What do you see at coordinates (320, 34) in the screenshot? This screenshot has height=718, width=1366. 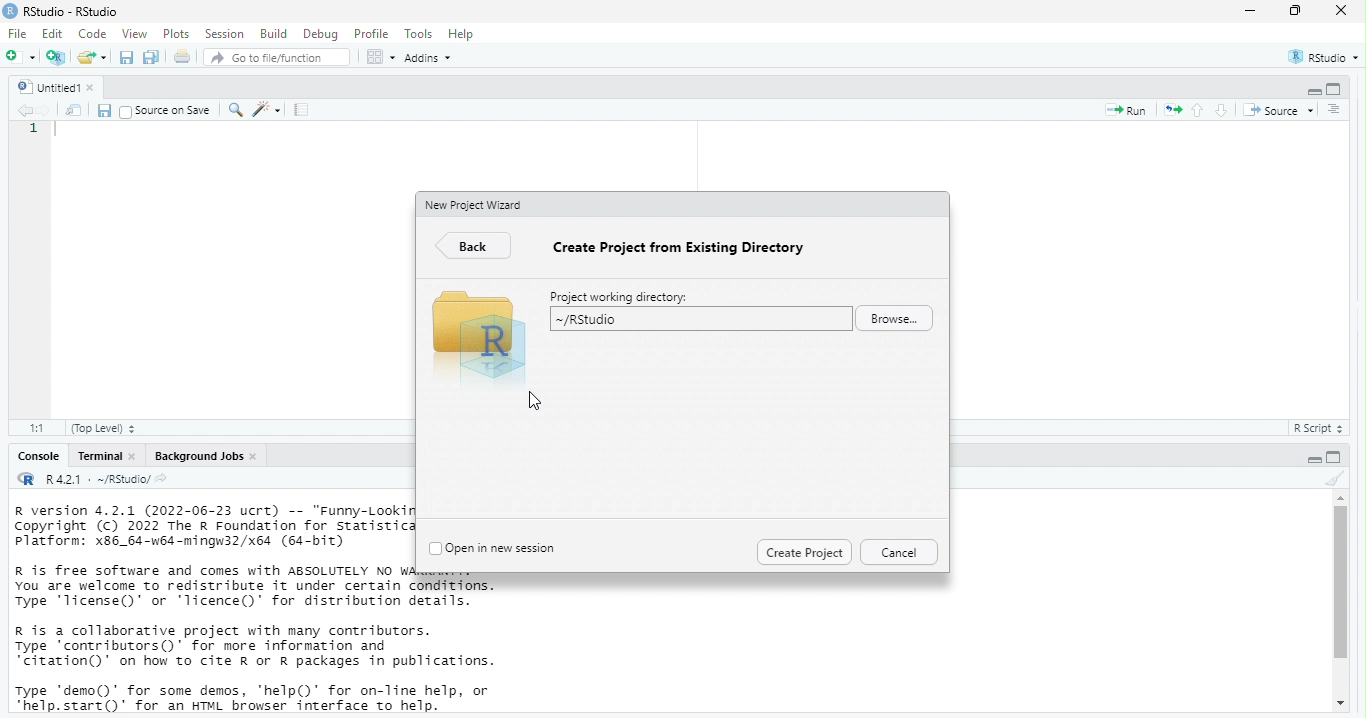 I see `debug` at bounding box center [320, 34].